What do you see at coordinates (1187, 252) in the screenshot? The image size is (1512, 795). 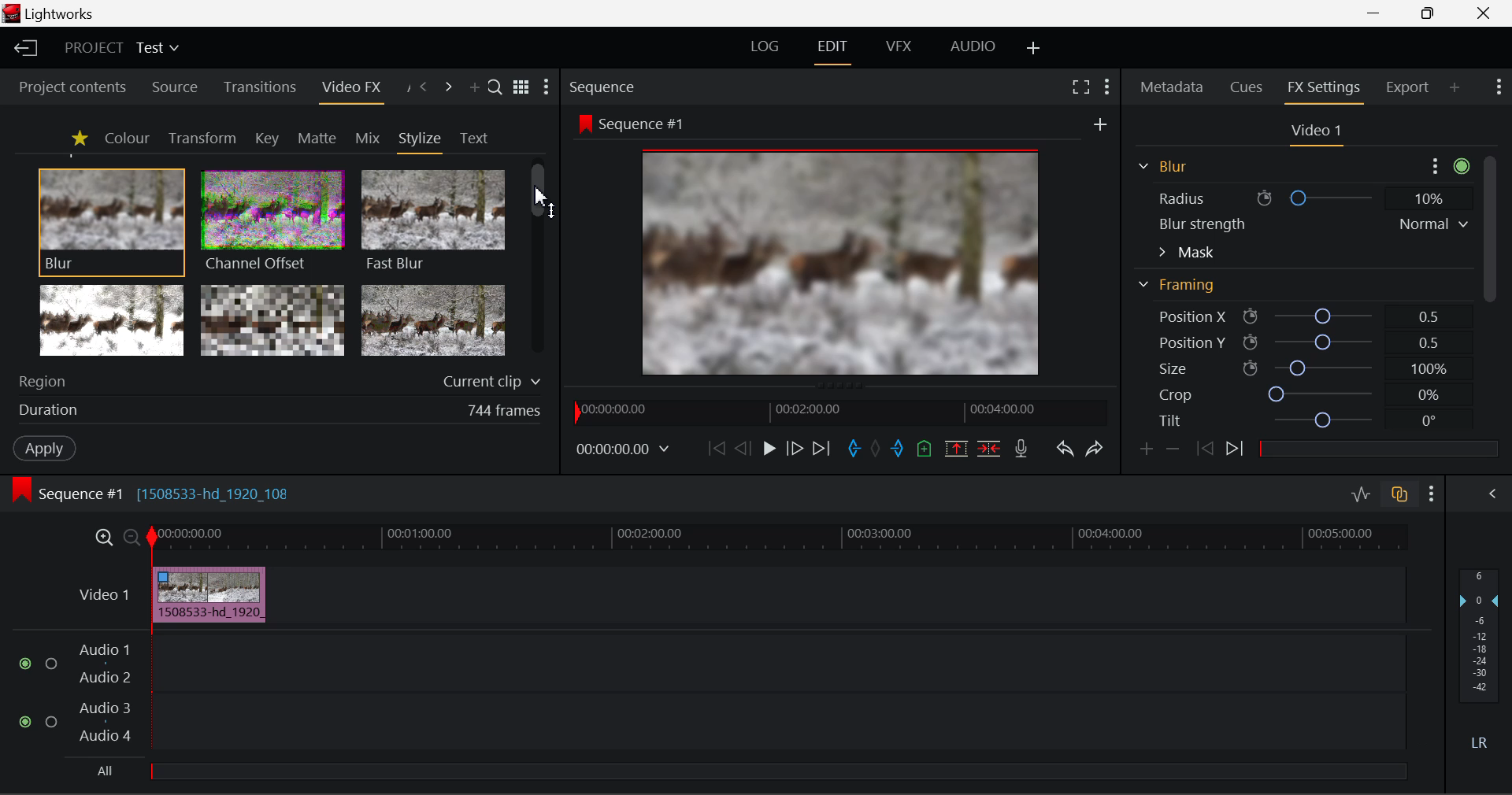 I see `Mask` at bounding box center [1187, 252].